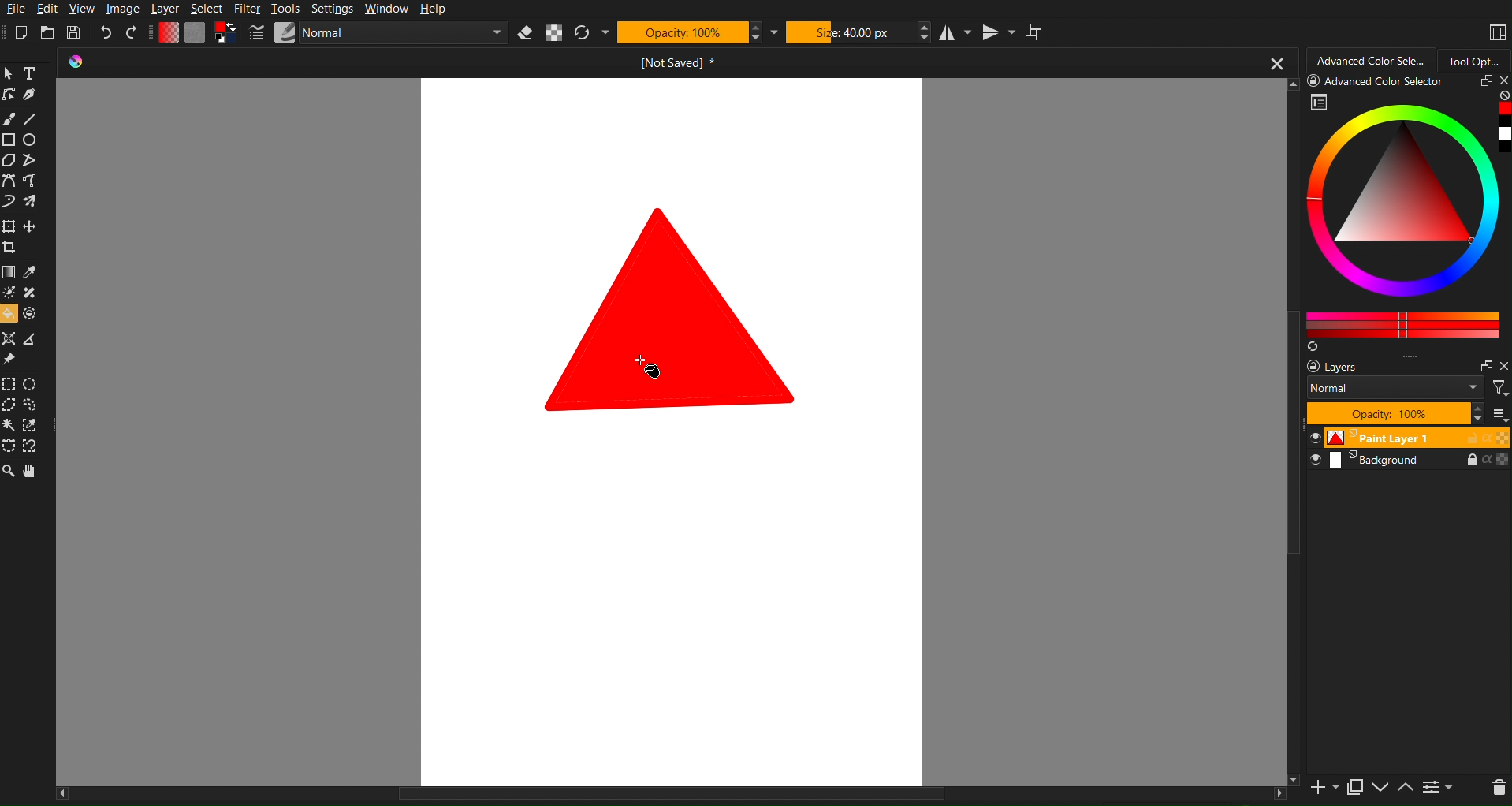  Describe the element at coordinates (1382, 789) in the screenshot. I see `move layer down` at that location.